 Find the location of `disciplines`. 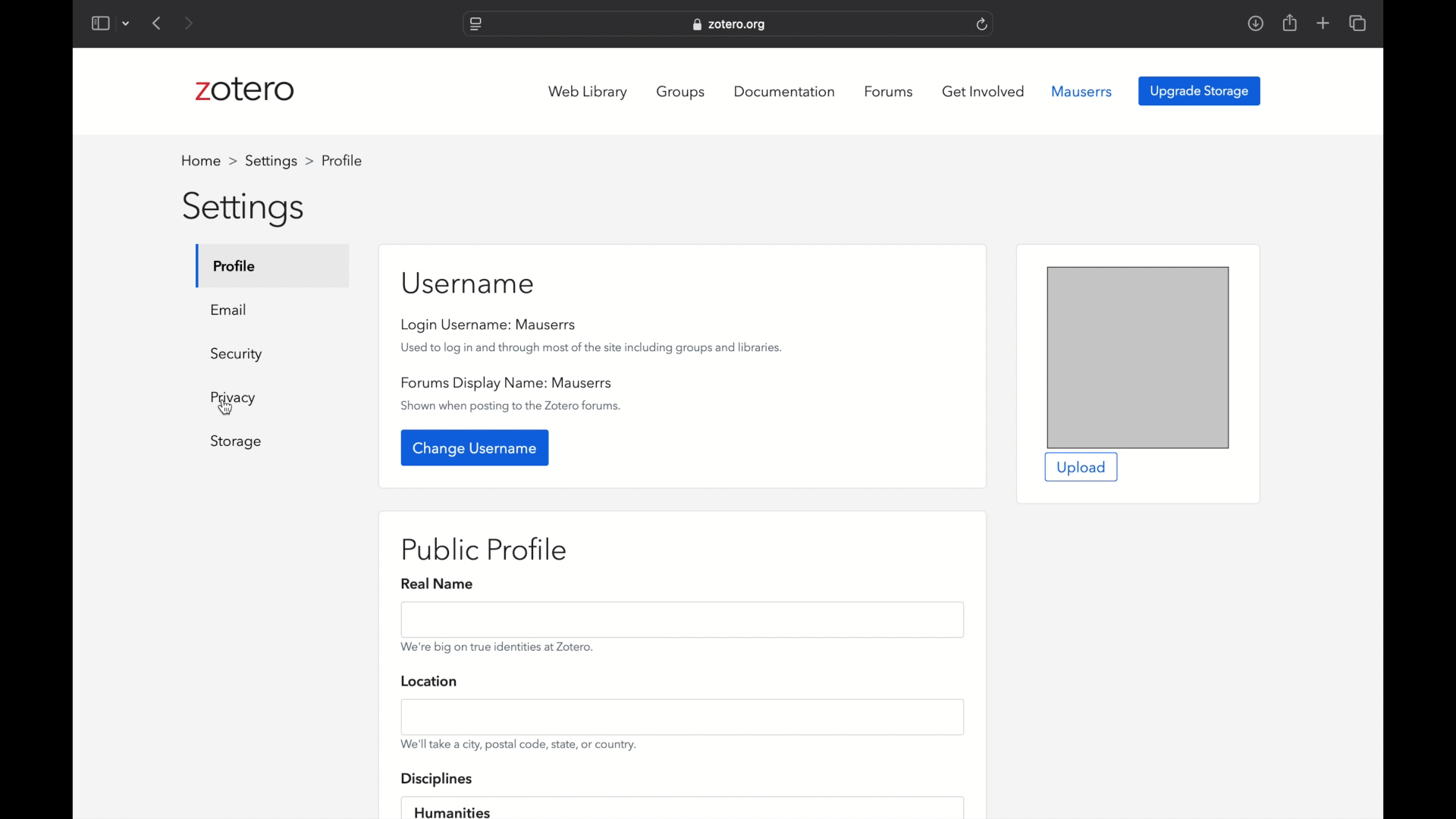

disciplines is located at coordinates (437, 780).